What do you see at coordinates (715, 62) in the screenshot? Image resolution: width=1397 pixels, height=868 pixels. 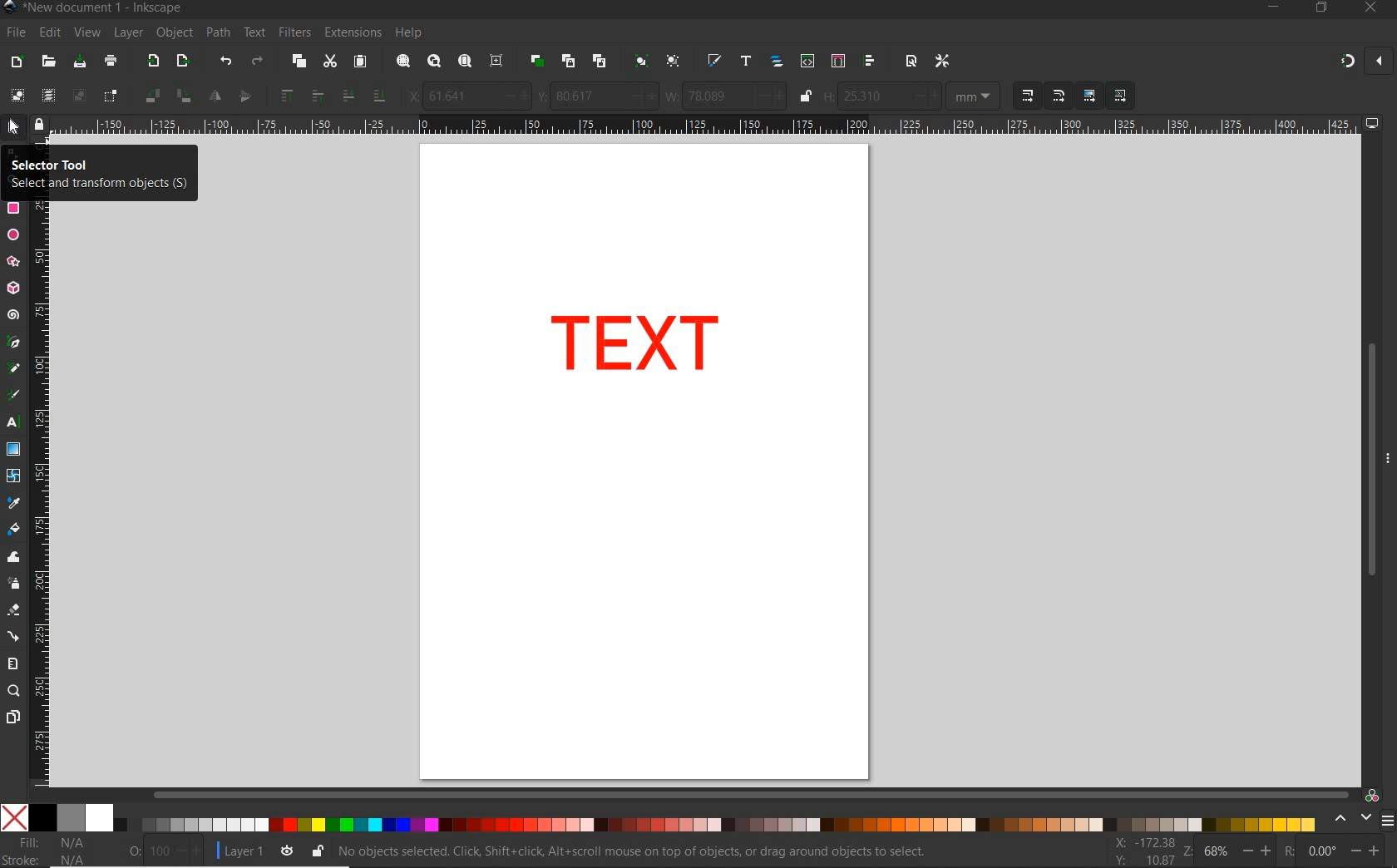 I see `open fill and stroke` at bounding box center [715, 62].